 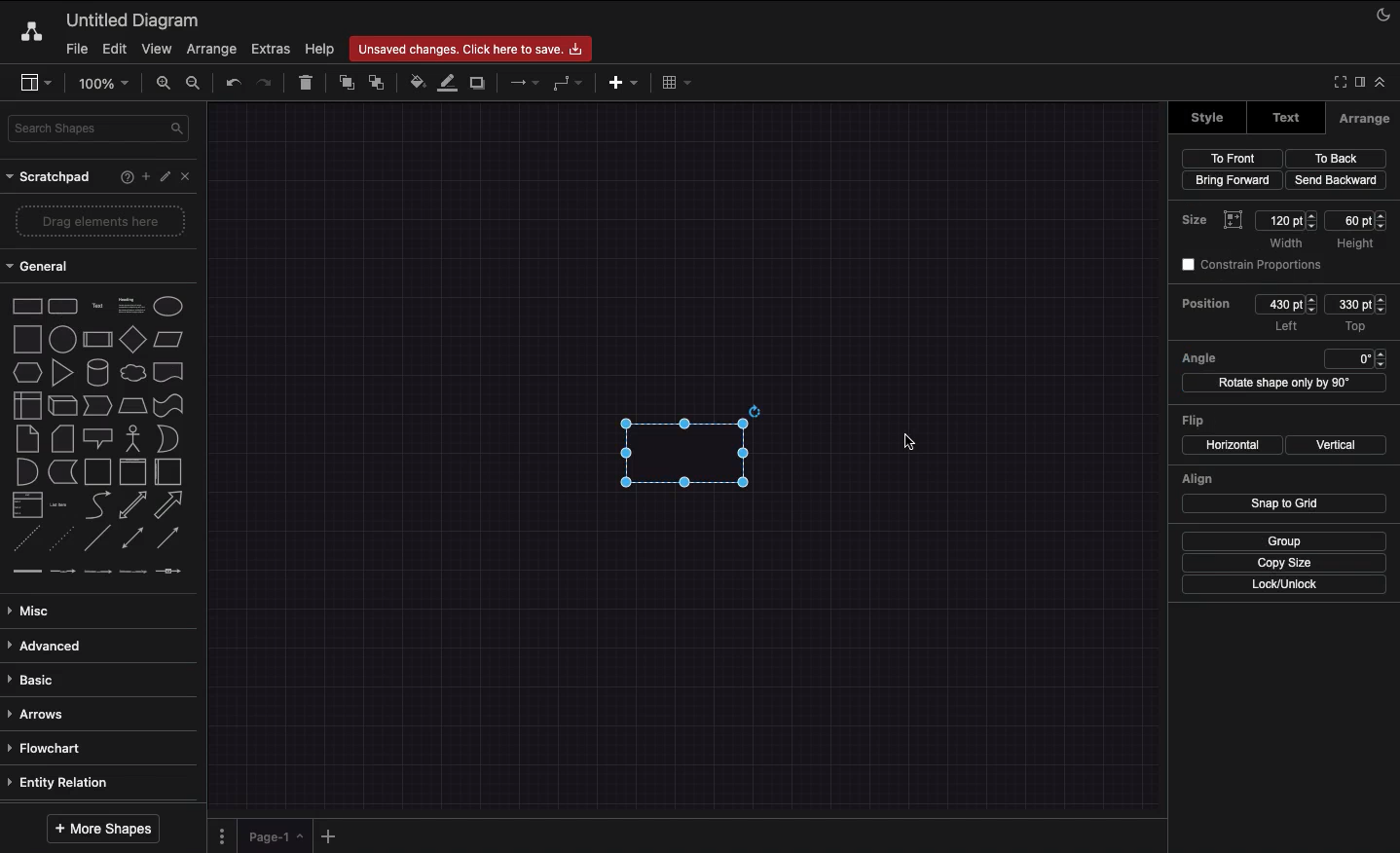 What do you see at coordinates (69, 784) in the screenshot?
I see `Entity relation ` at bounding box center [69, 784].